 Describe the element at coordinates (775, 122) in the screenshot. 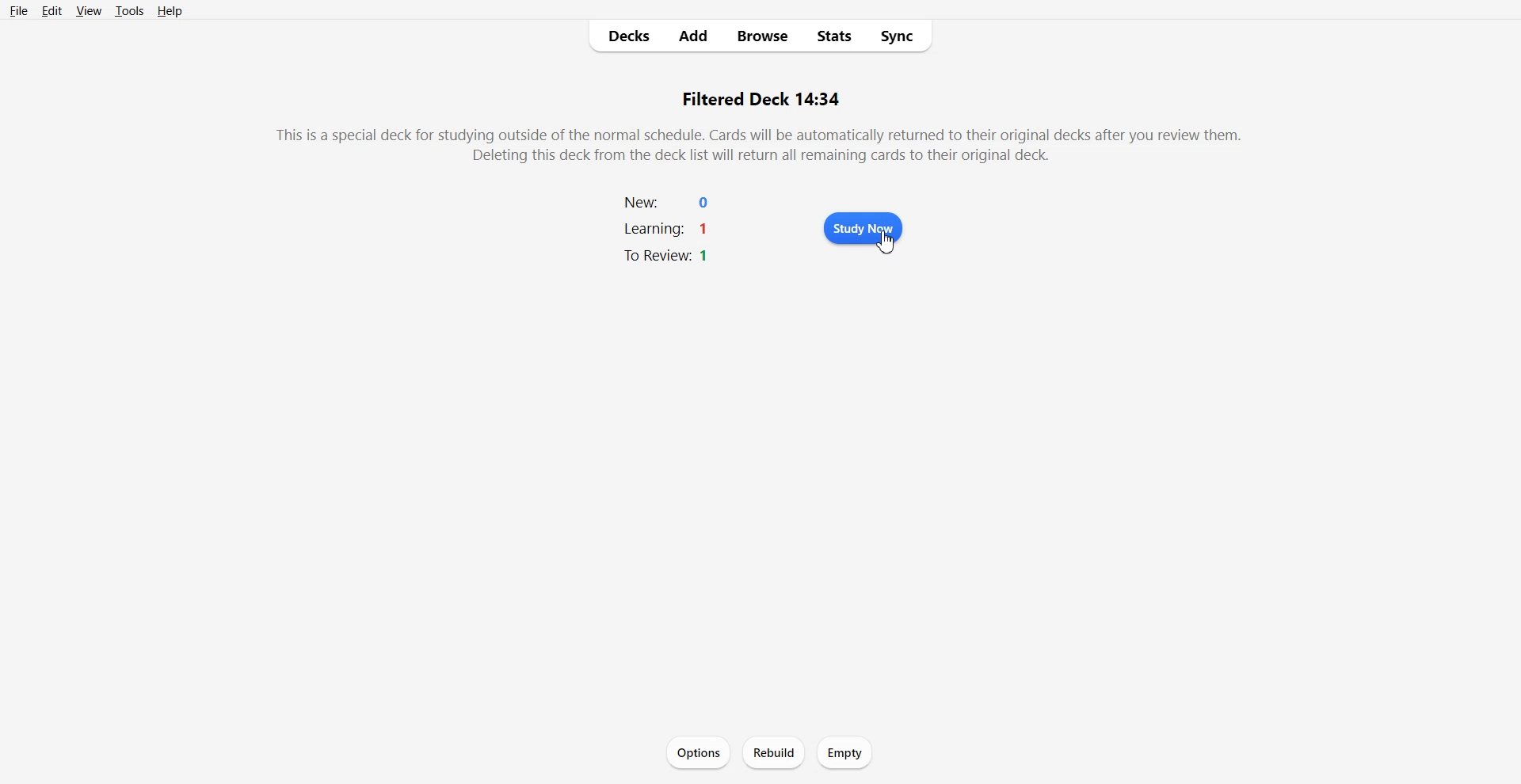

I see `Text` at that location.